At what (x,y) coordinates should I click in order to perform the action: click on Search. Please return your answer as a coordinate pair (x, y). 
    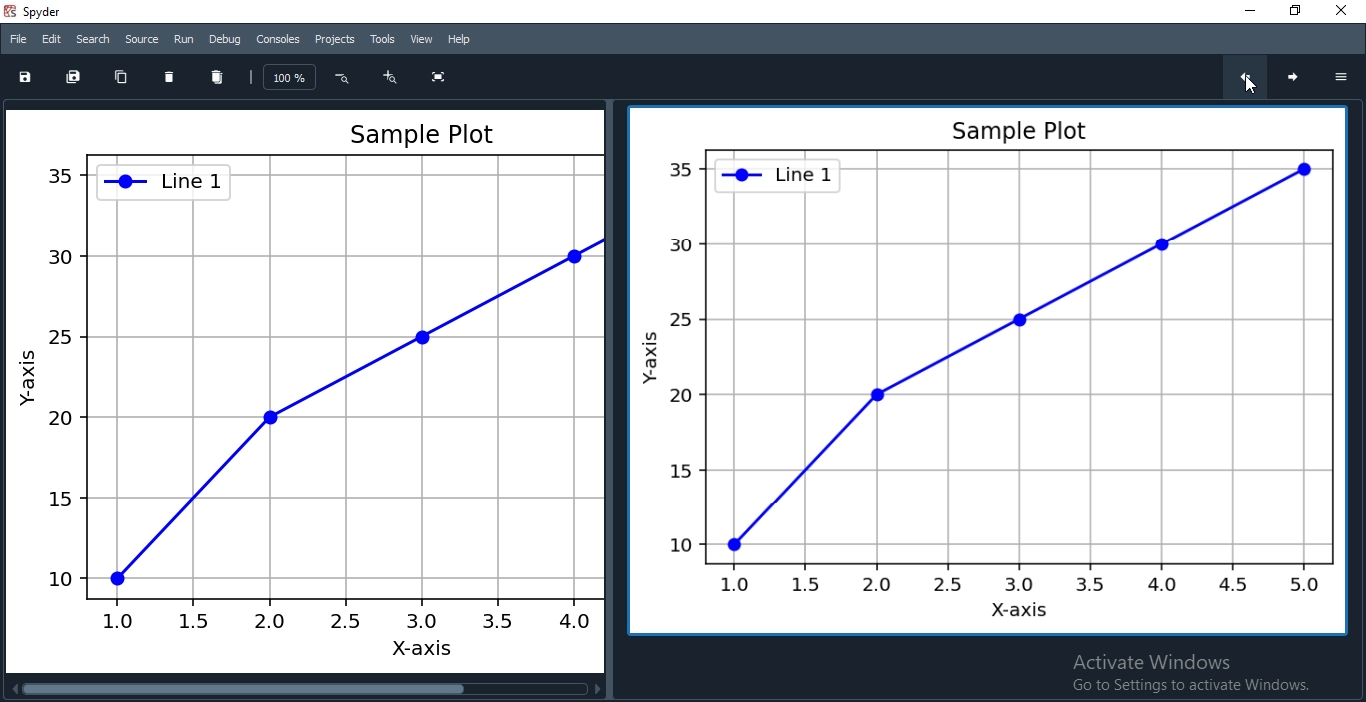
    Looking at the image, I should click on (92, 39).